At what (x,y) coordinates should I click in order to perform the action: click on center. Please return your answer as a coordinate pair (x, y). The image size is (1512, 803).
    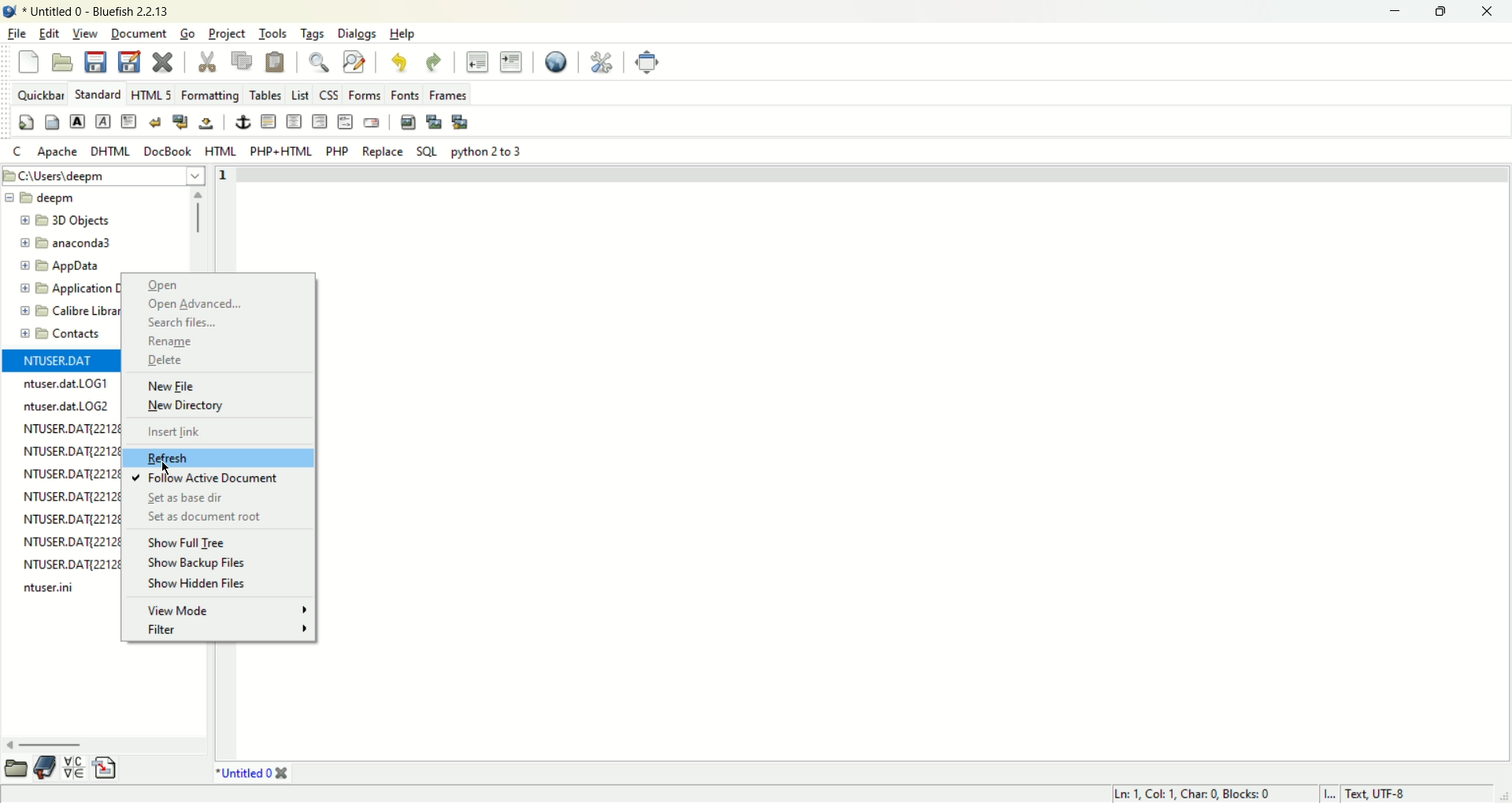
    Looking at the image, I should click on (295, 121).